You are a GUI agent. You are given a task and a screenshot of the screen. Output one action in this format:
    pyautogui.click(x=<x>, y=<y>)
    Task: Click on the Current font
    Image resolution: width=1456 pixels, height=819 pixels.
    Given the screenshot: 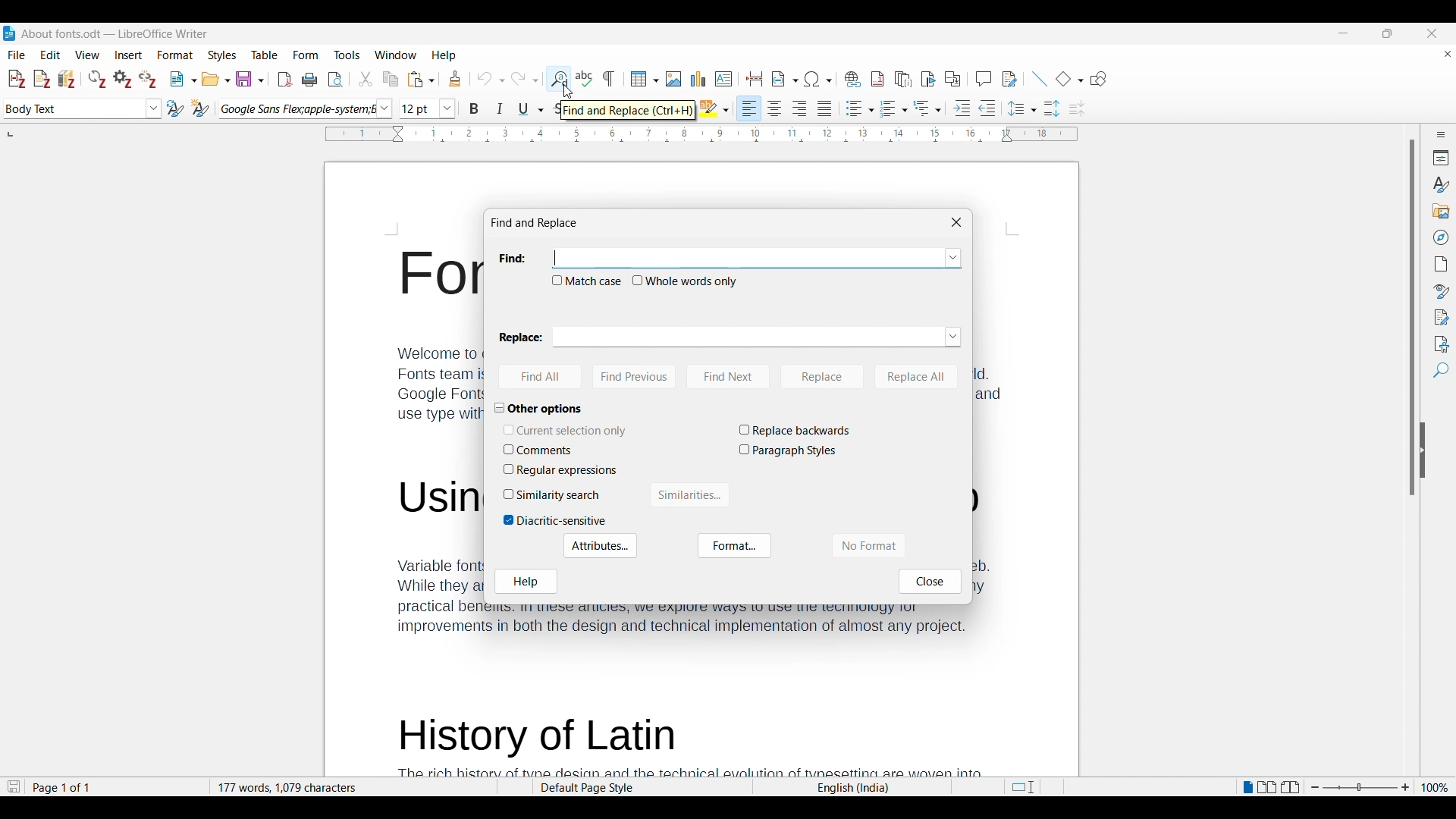 What is the action you would take?
    pyautogui.click(x=297, y=109)
    